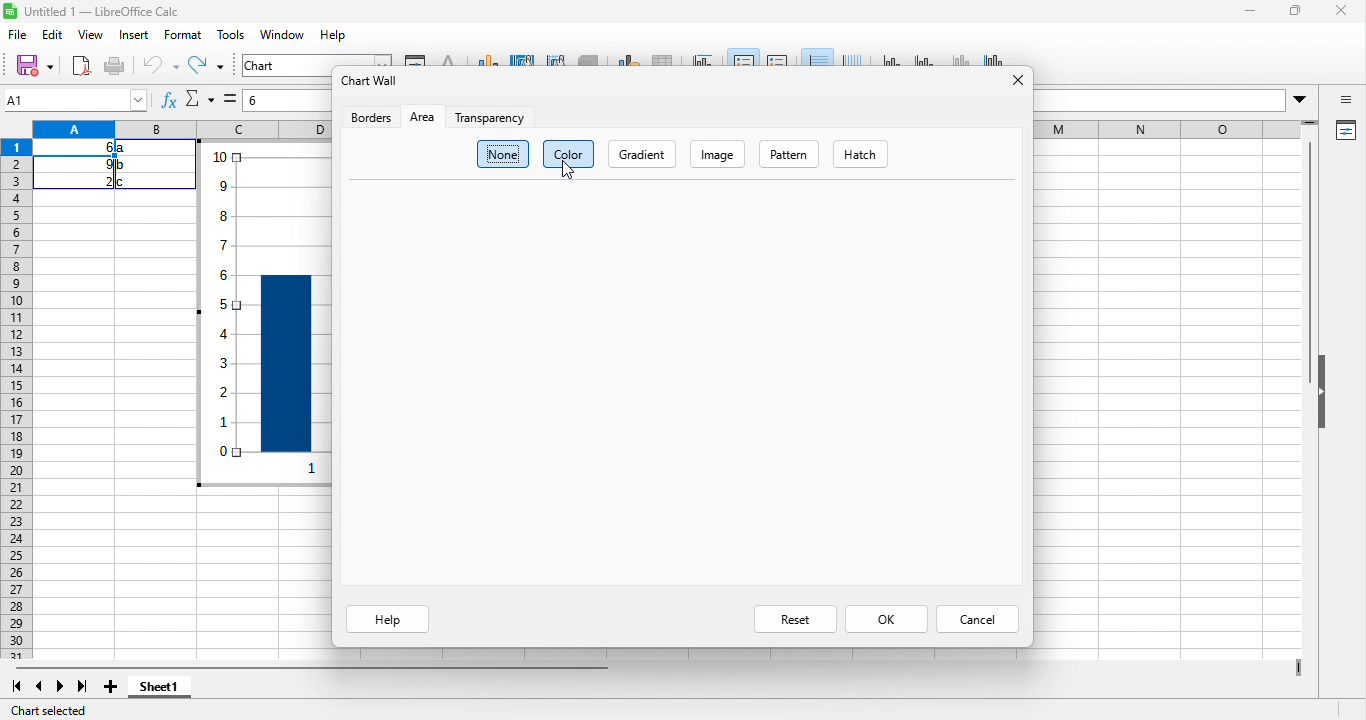  What do you see at coordinates (889, 615) in the screenshot?
I see `ok` at bounding box center [889, 615].